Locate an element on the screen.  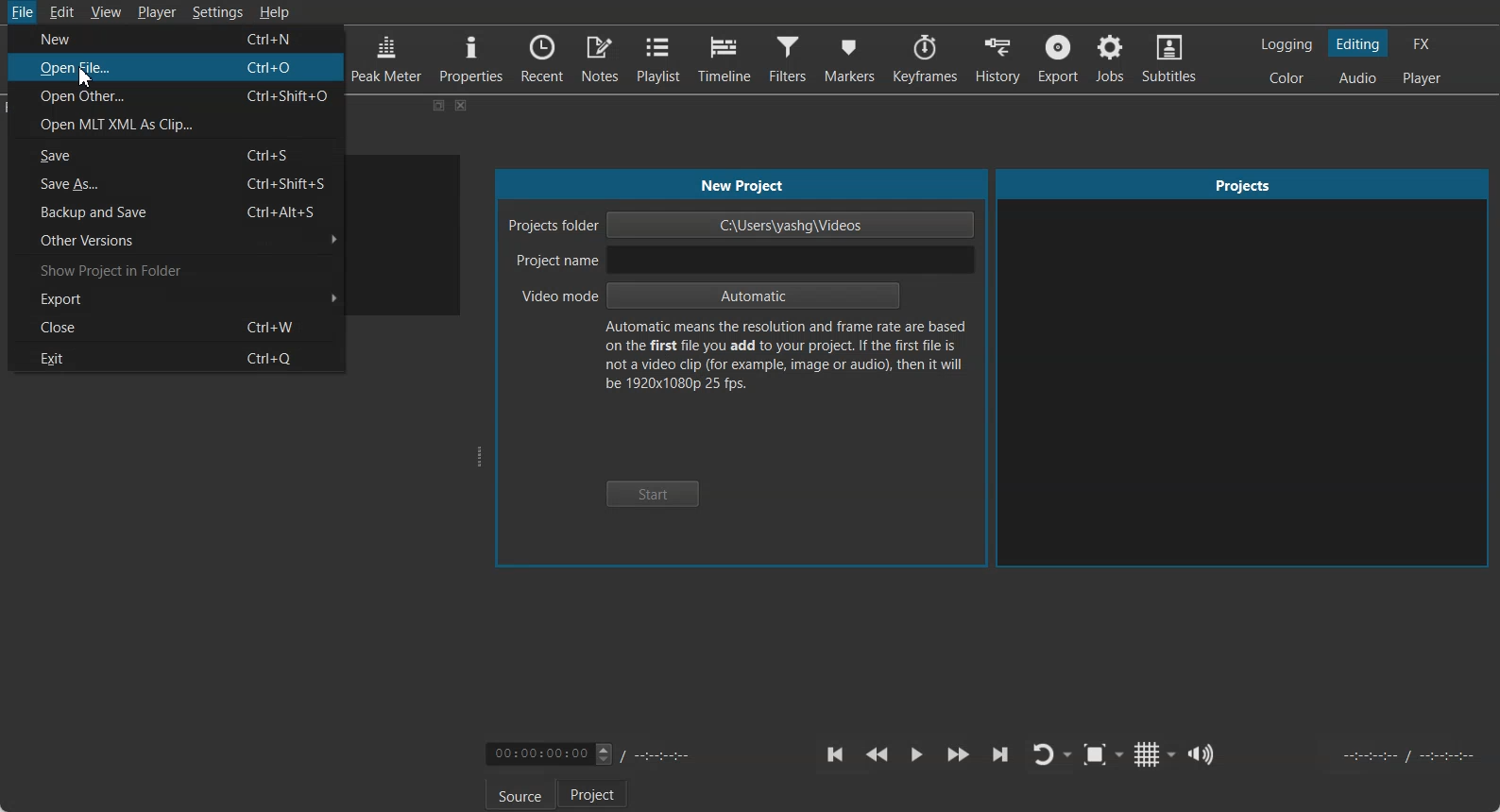
Video Timing adjuster is located at coordinates (550, 754).